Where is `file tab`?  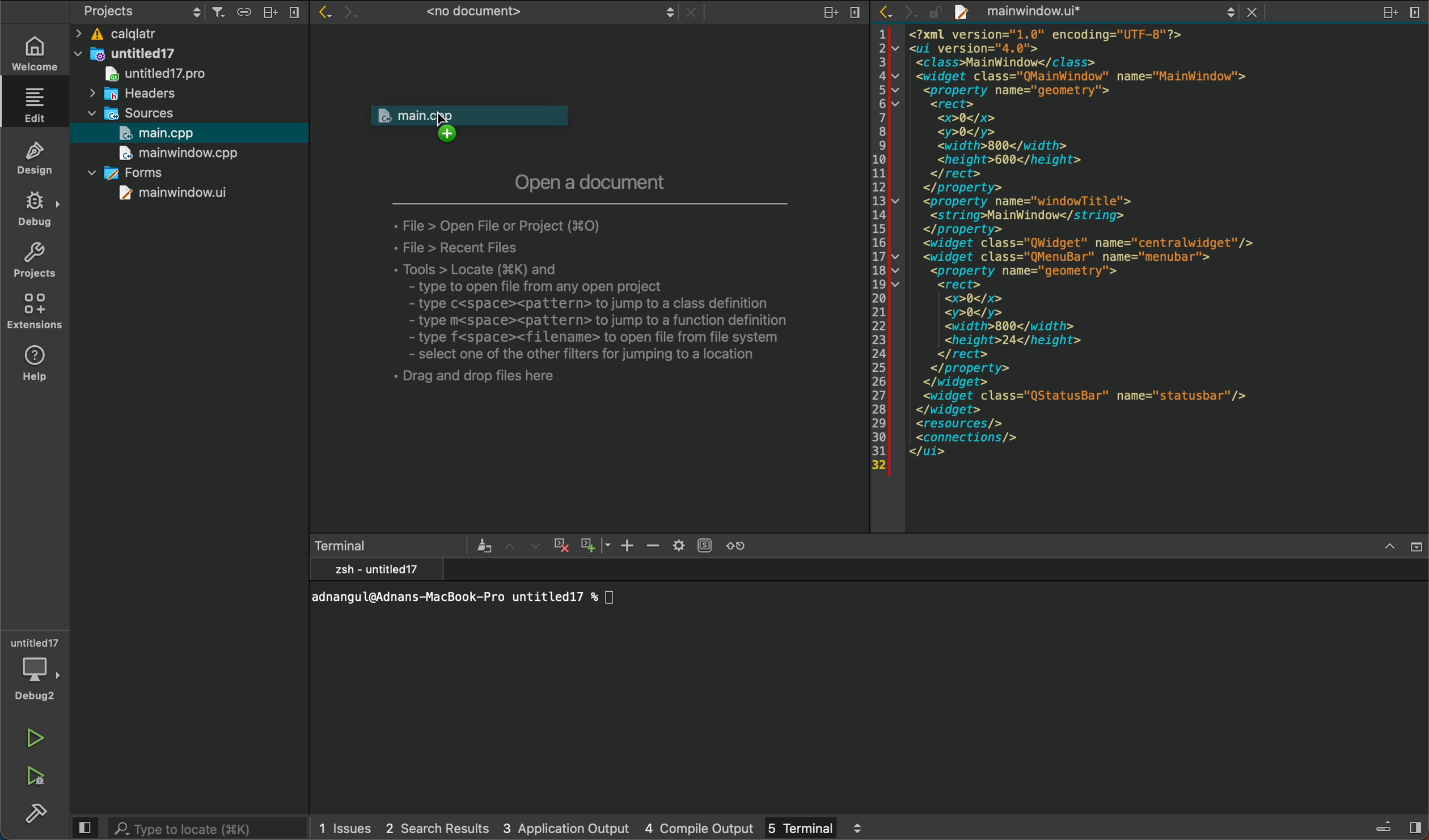
file tab is located at coordinates (1099, 13).